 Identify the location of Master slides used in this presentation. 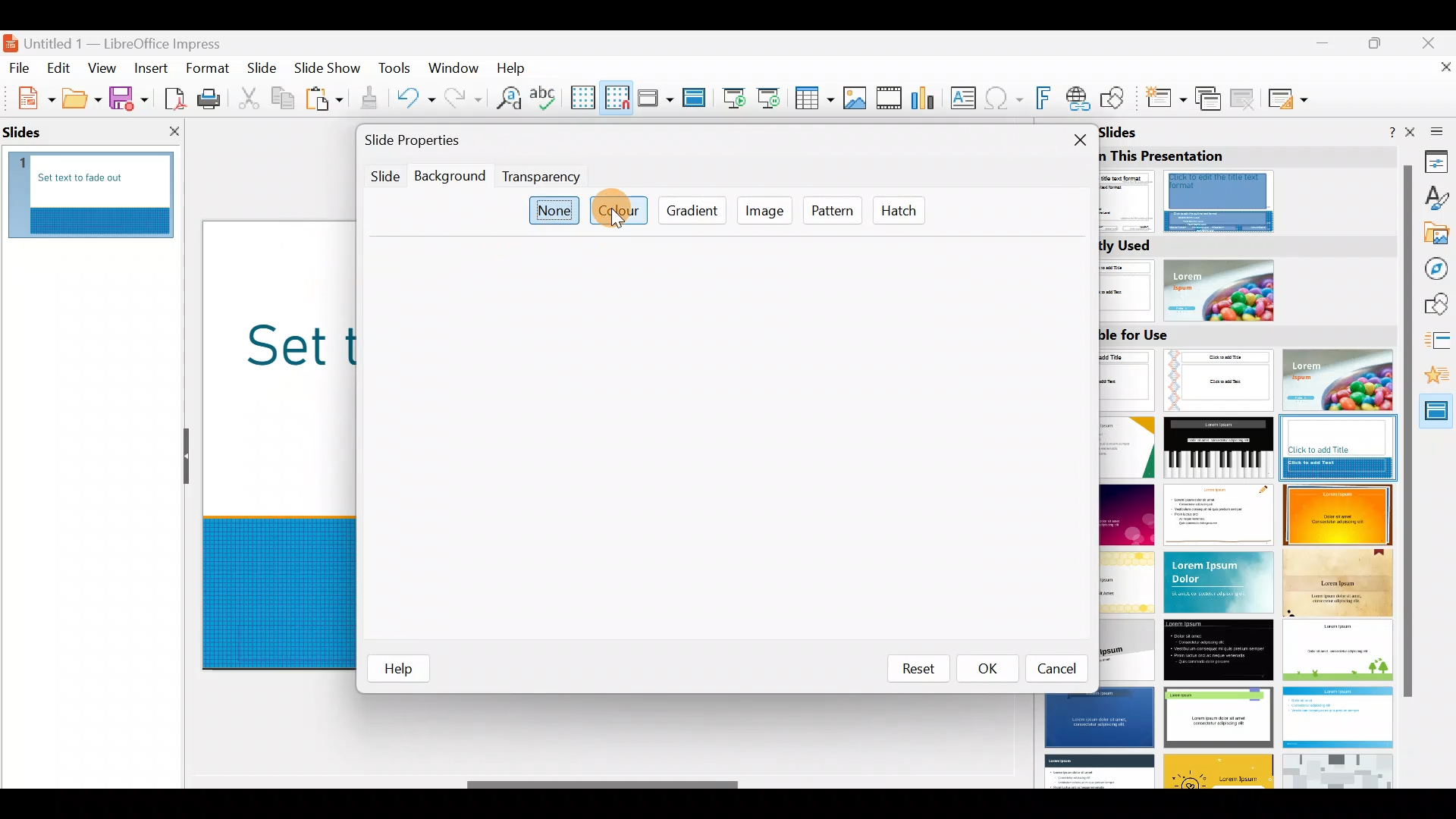
(1245, 178).